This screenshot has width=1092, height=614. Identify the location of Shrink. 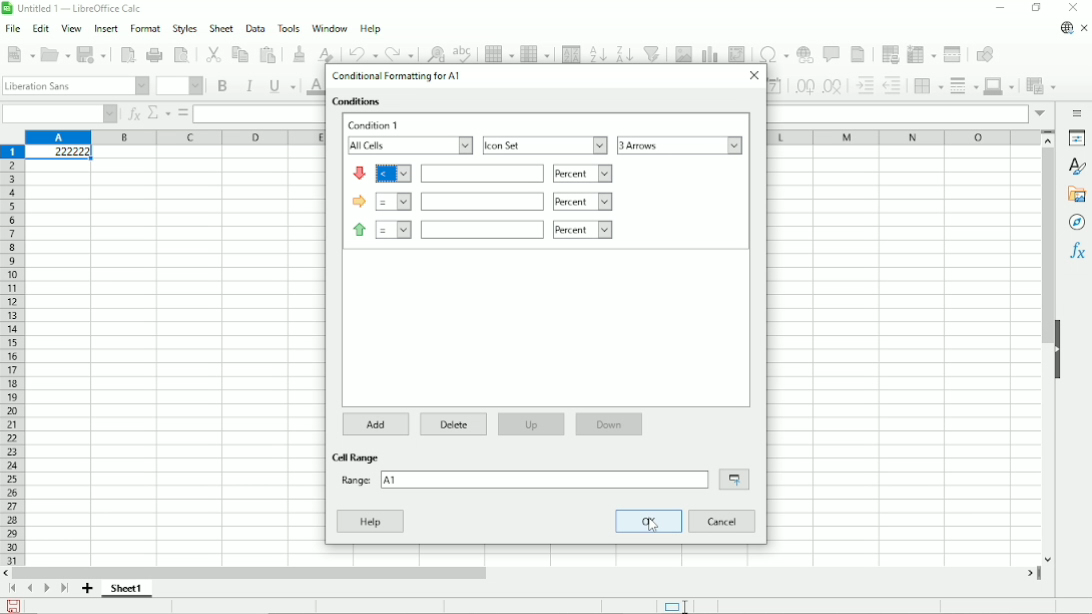
(734, 479).